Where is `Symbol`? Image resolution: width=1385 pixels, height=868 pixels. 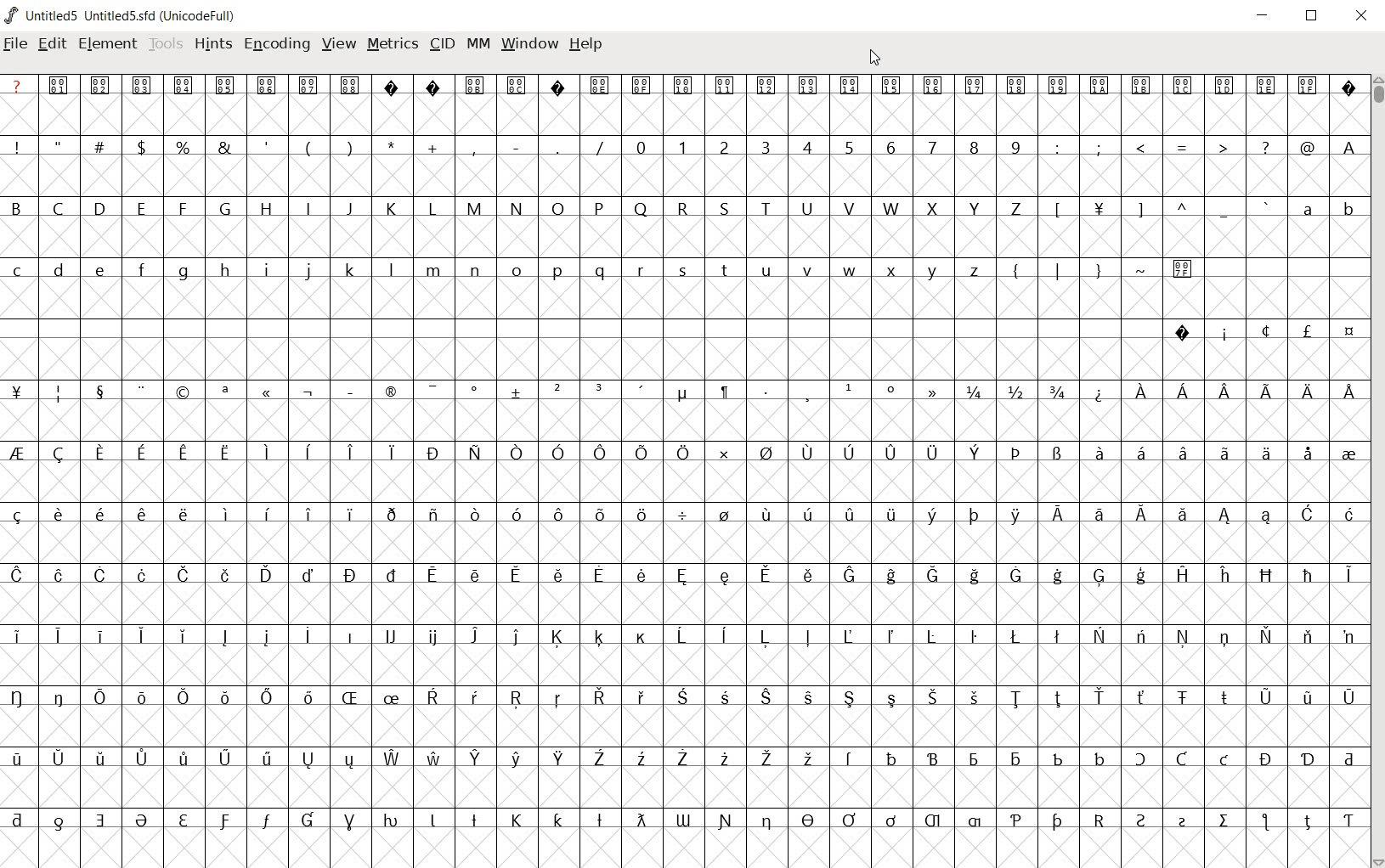
Symbol is located at coordinates (682, 759).